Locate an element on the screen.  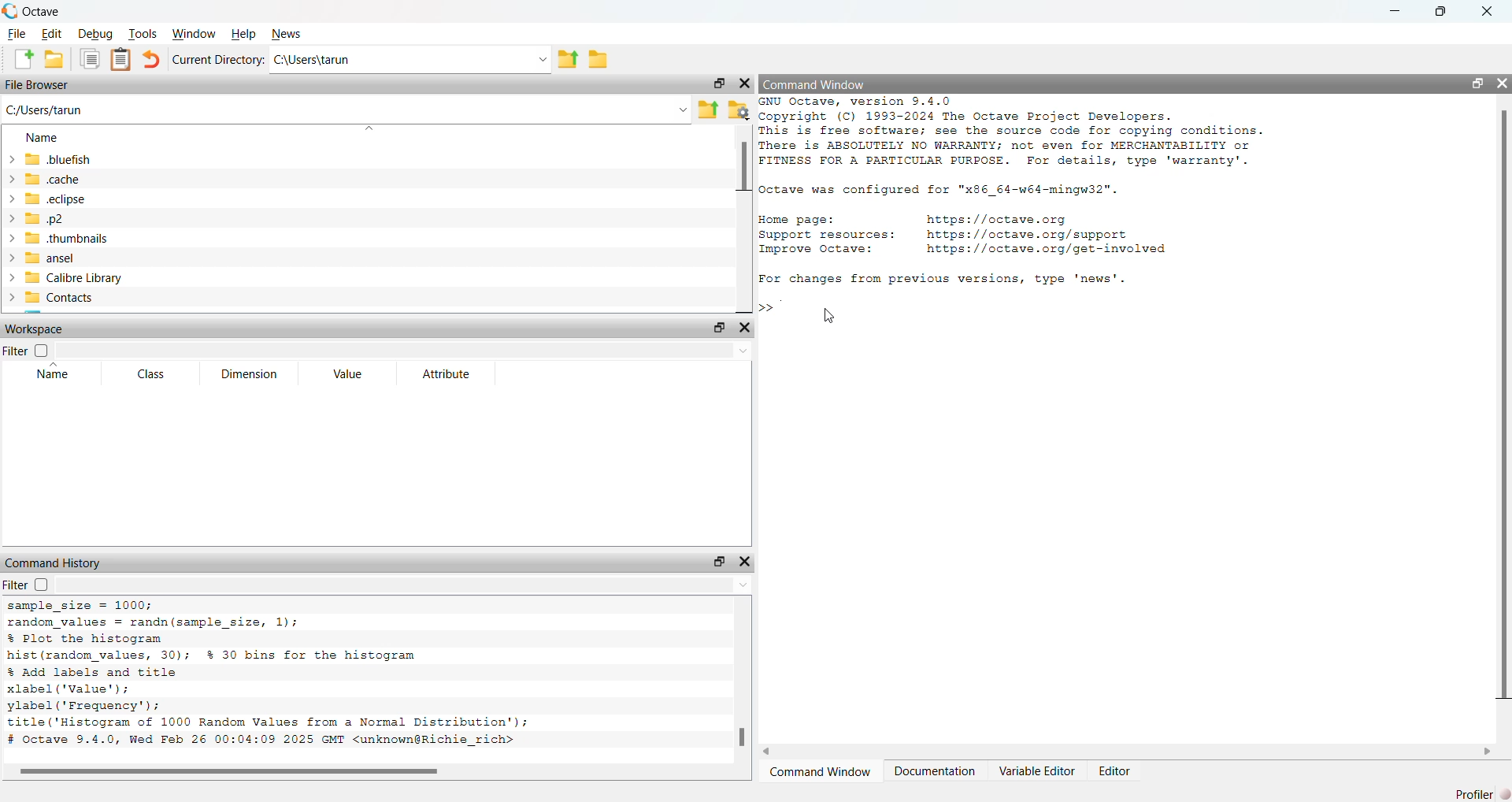
C:/Users/tarun is located at coordinates (45, 111).